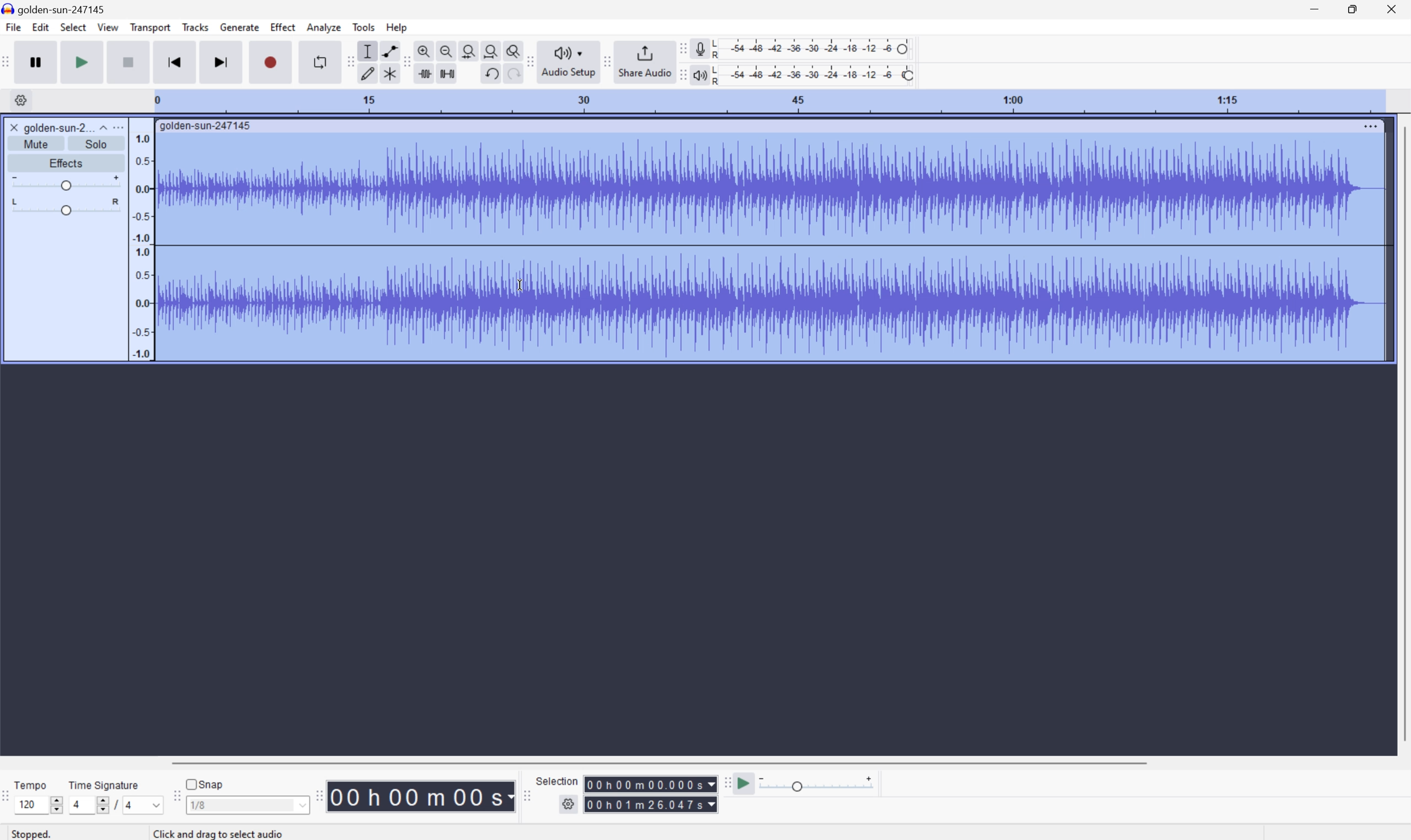 Image resolution: width=1411 pixels, height=840 pixels. I want to click on Undo, so click(491, 74).